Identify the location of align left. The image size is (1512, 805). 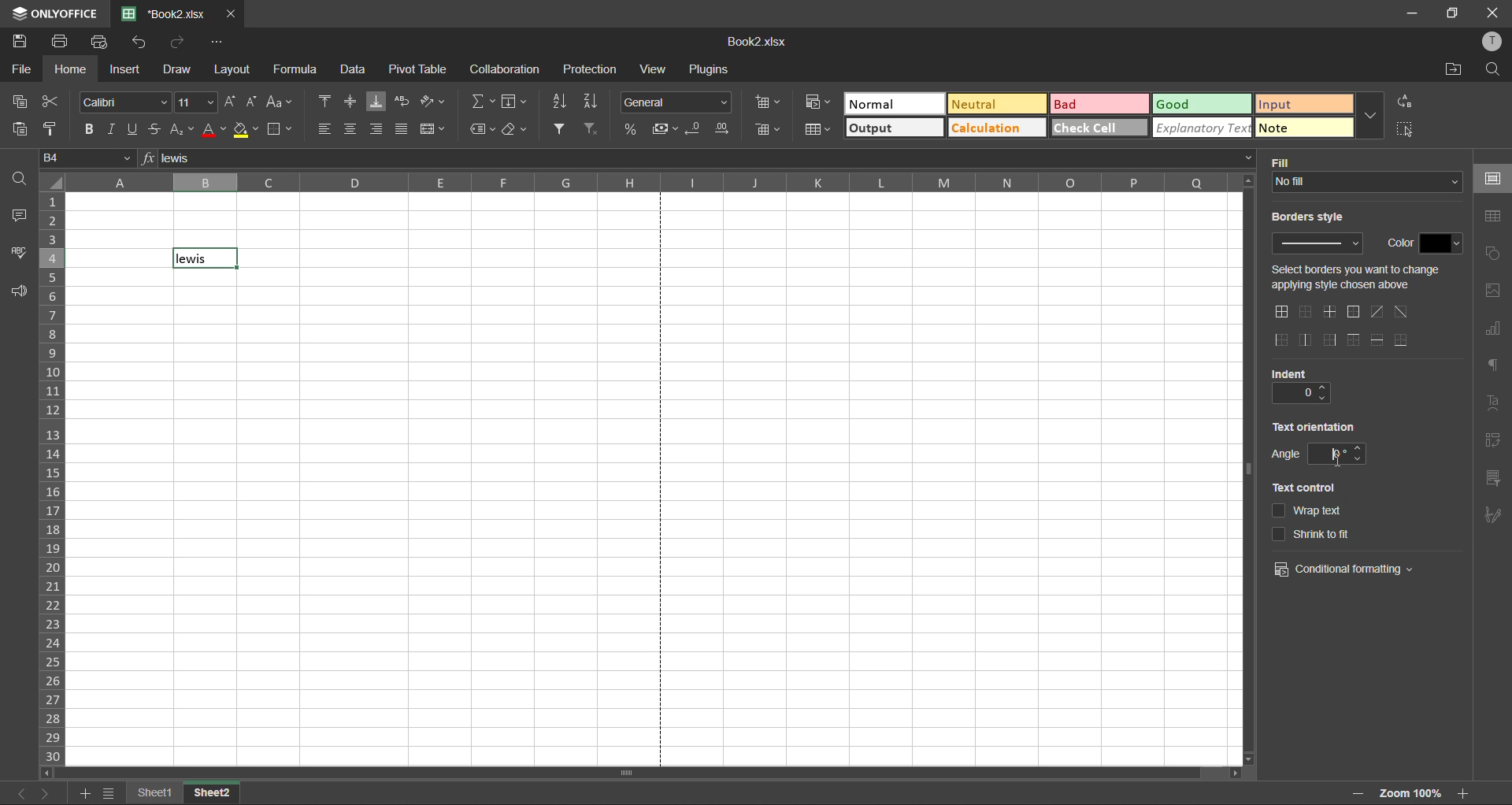
(328, 128).